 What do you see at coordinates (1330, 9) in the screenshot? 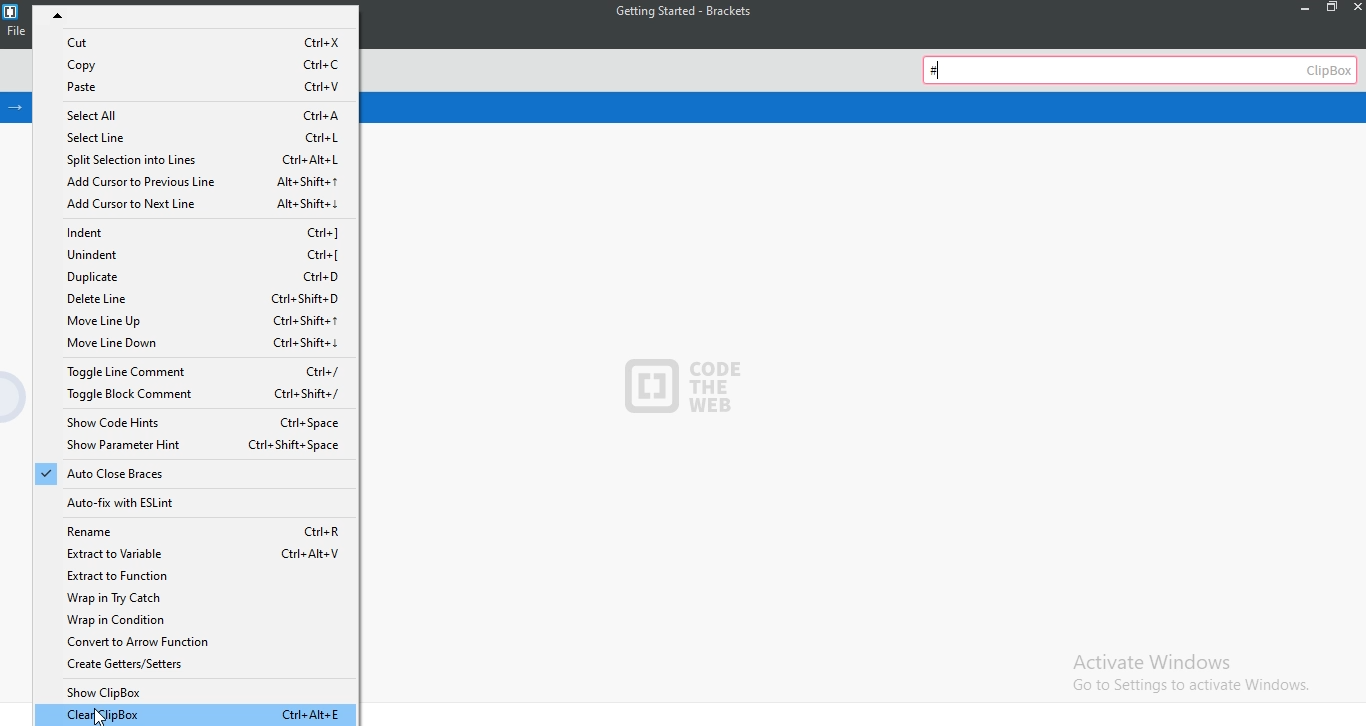
I see `restore` at bounding box center [1330, 9].